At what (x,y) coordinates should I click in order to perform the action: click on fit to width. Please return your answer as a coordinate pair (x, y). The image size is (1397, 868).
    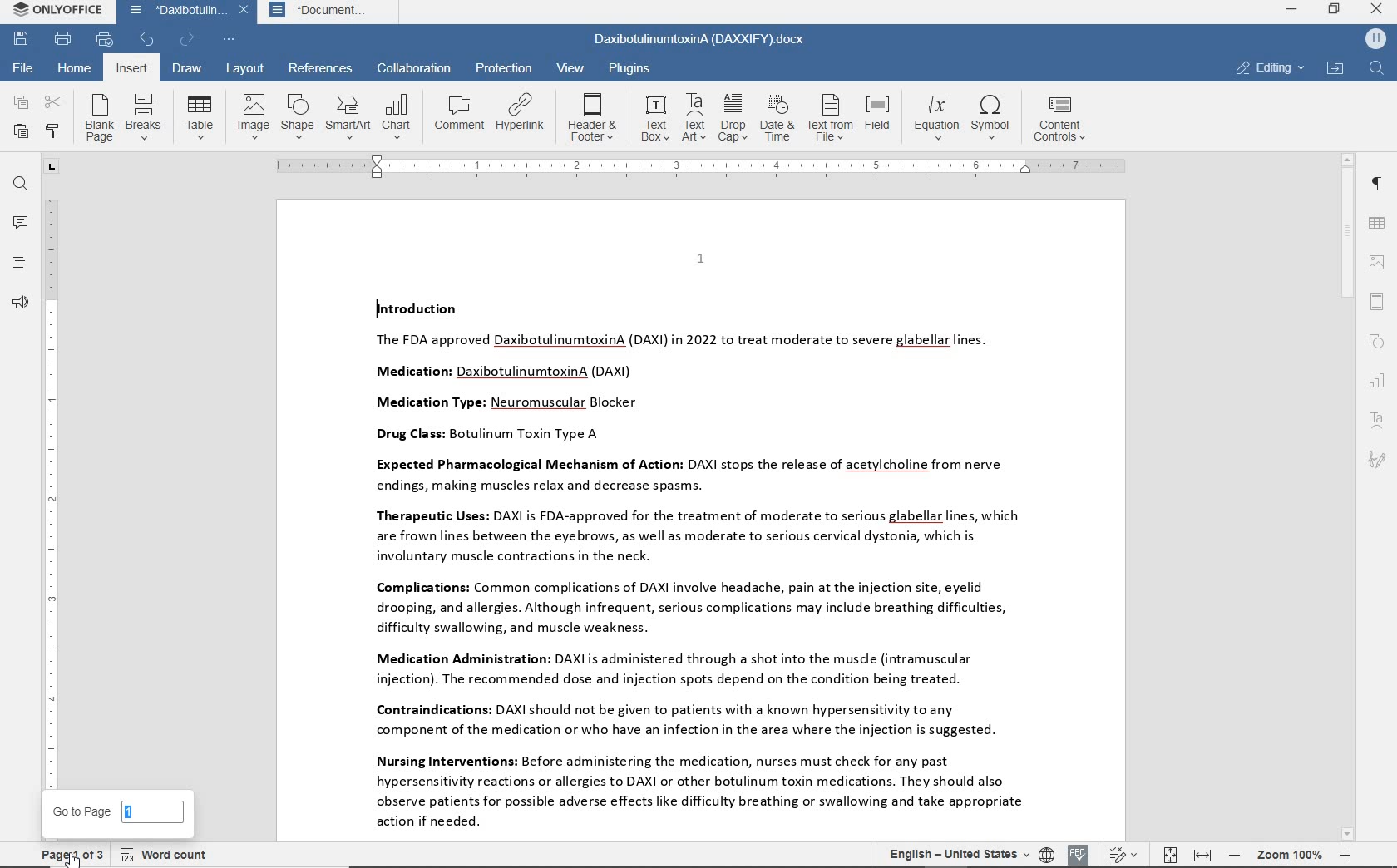
    Looking at the image, I should click on (1202, 856).